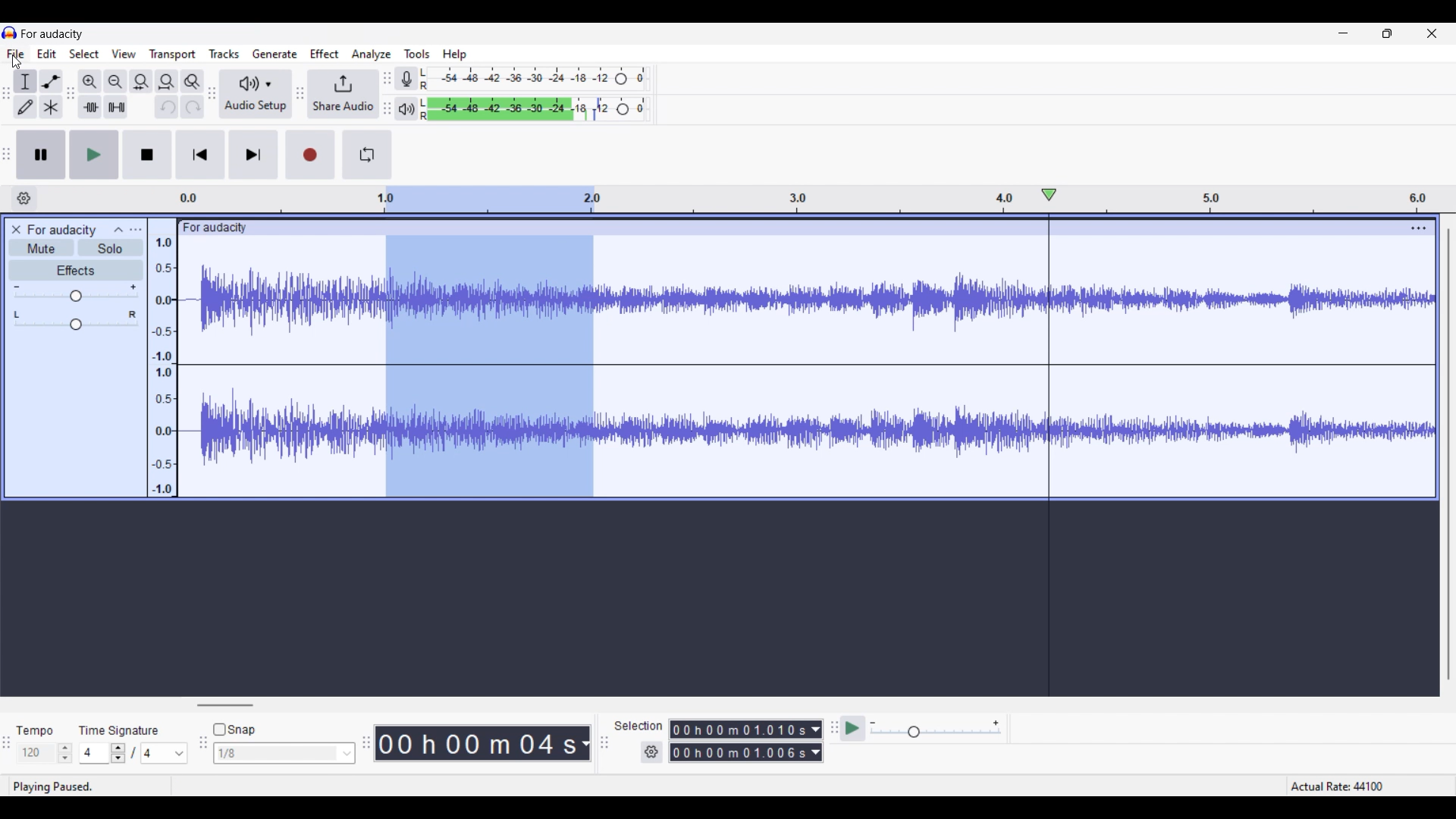  I want to click on Show in smaller tab, so click(1387, 33).